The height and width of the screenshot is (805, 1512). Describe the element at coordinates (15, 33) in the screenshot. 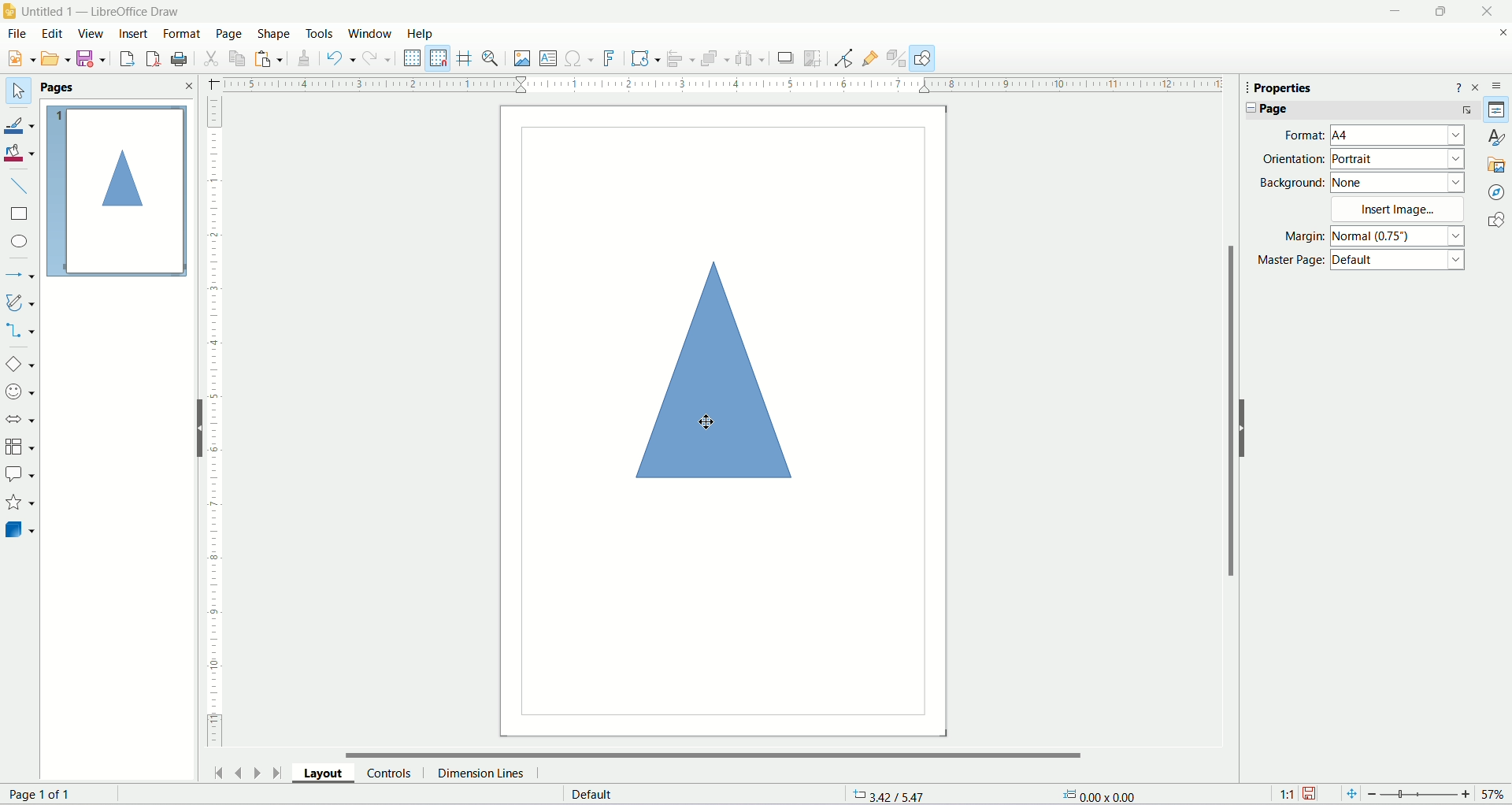

I see `File` at that location.